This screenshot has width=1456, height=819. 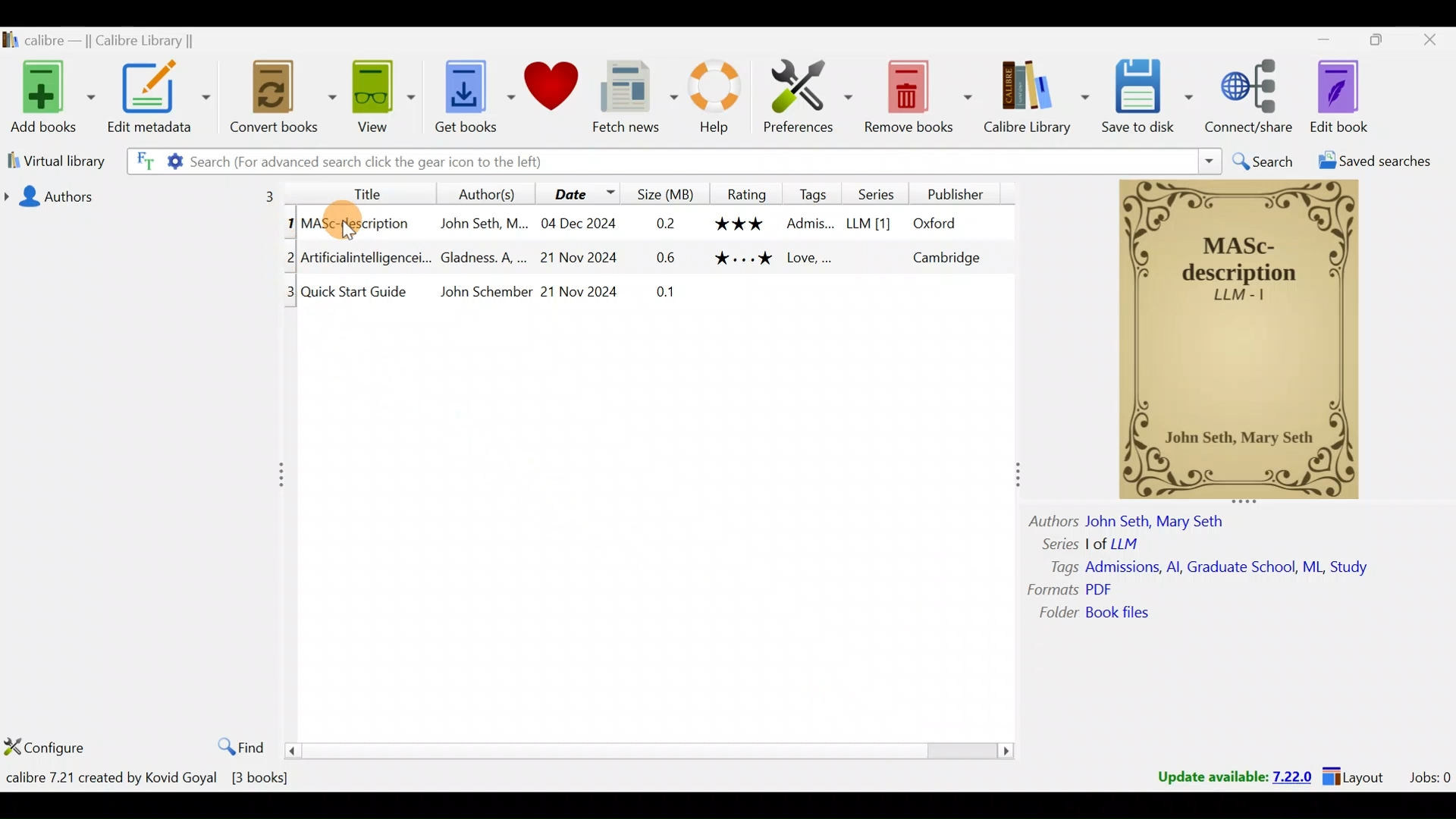 I want to click on , so click(x=1056, y=567).